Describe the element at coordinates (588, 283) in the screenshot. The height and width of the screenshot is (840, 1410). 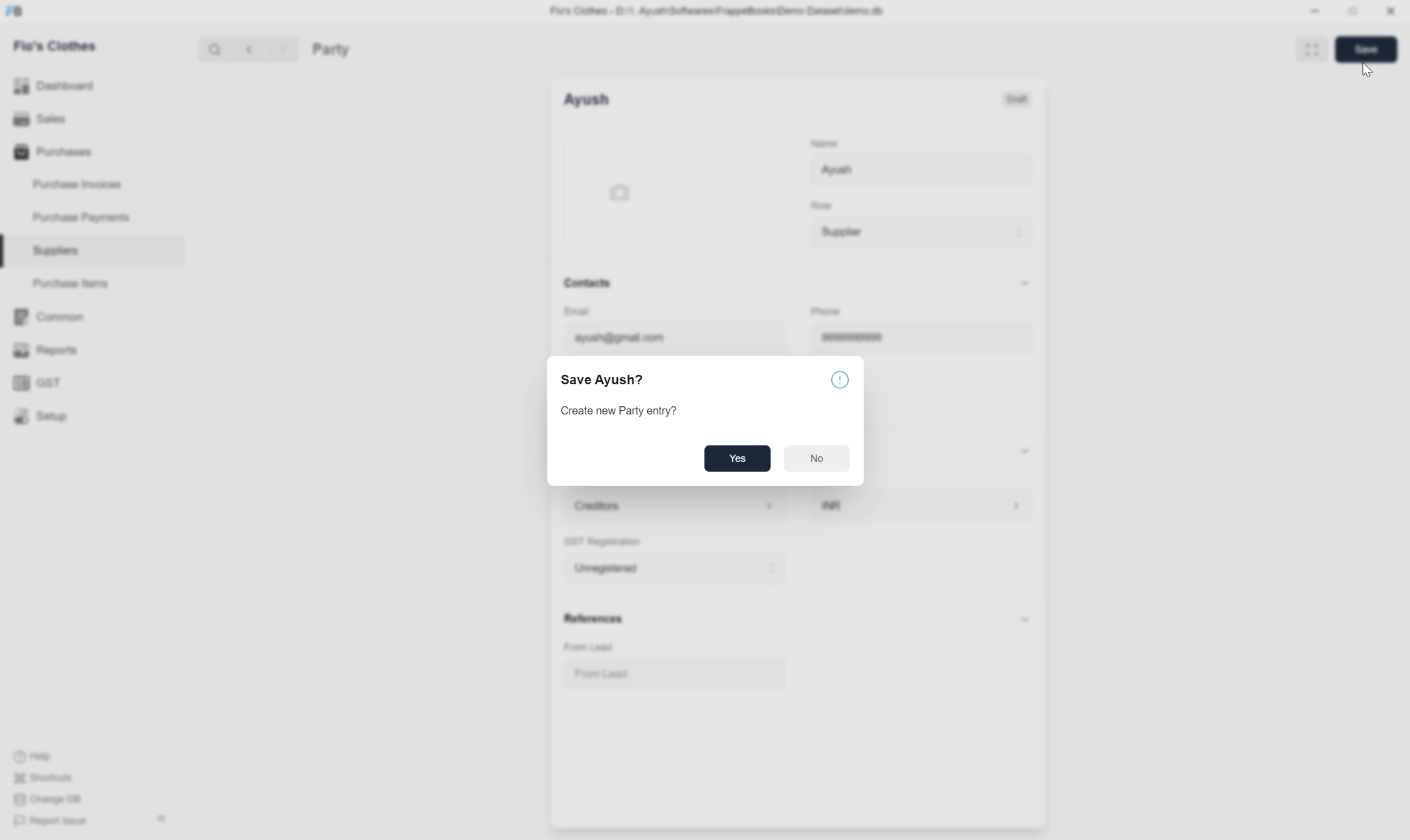
I see `Contacts` at that location.